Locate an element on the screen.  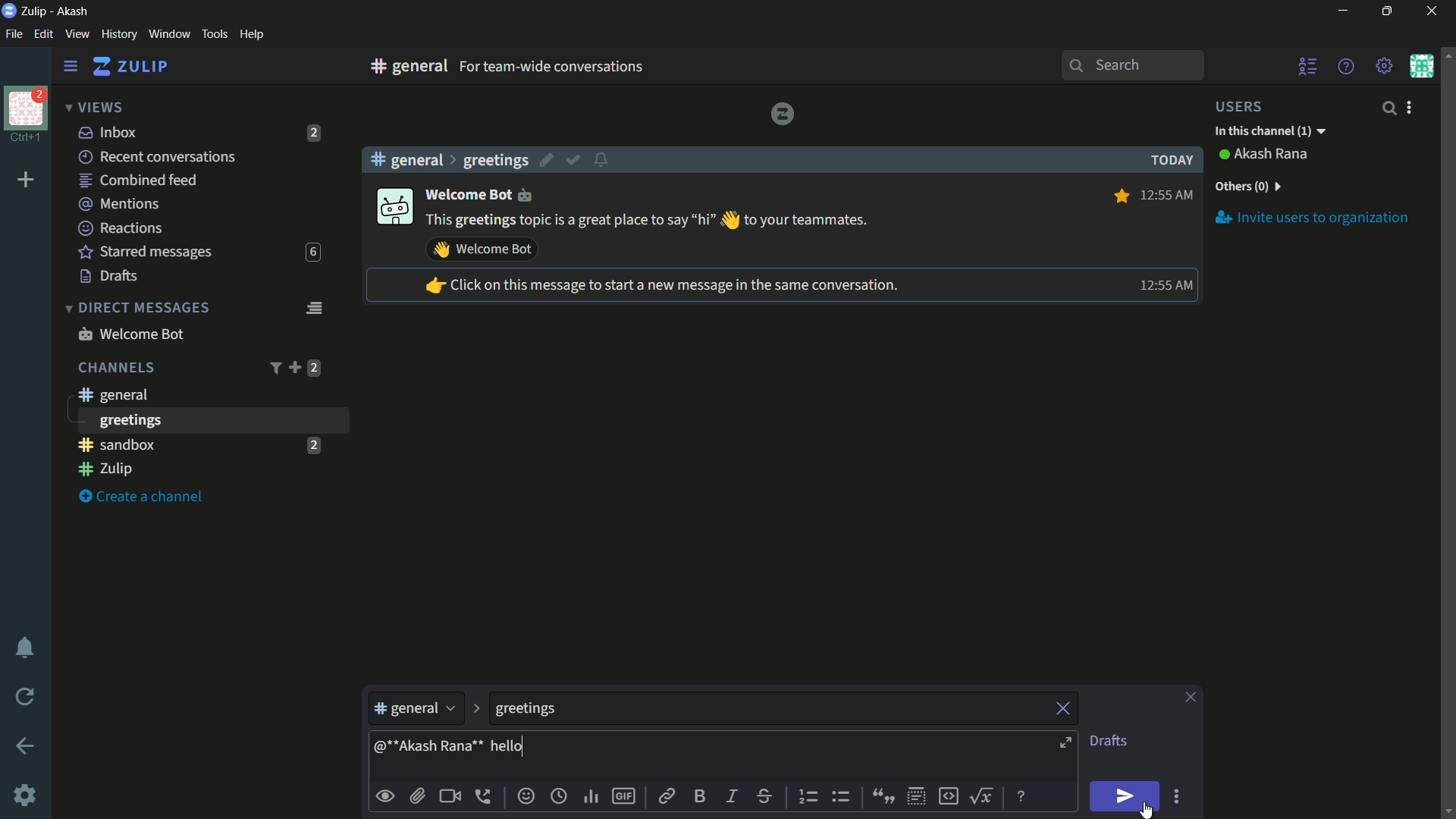
mentioned someone is located at coordinates (430, 749).